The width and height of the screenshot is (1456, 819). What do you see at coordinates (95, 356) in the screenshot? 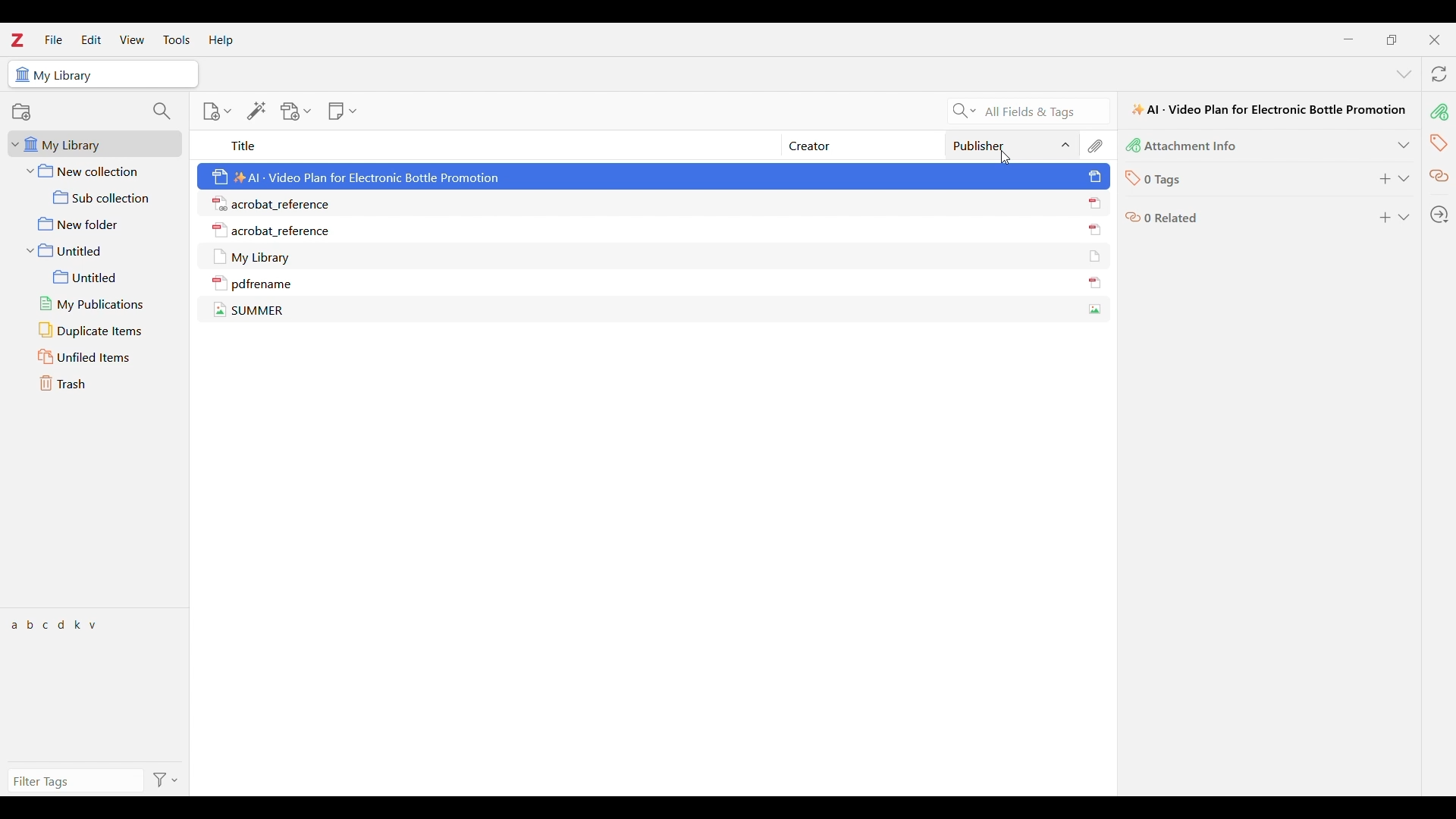
I see `Unfiled items` at bounding box center [95, 356].